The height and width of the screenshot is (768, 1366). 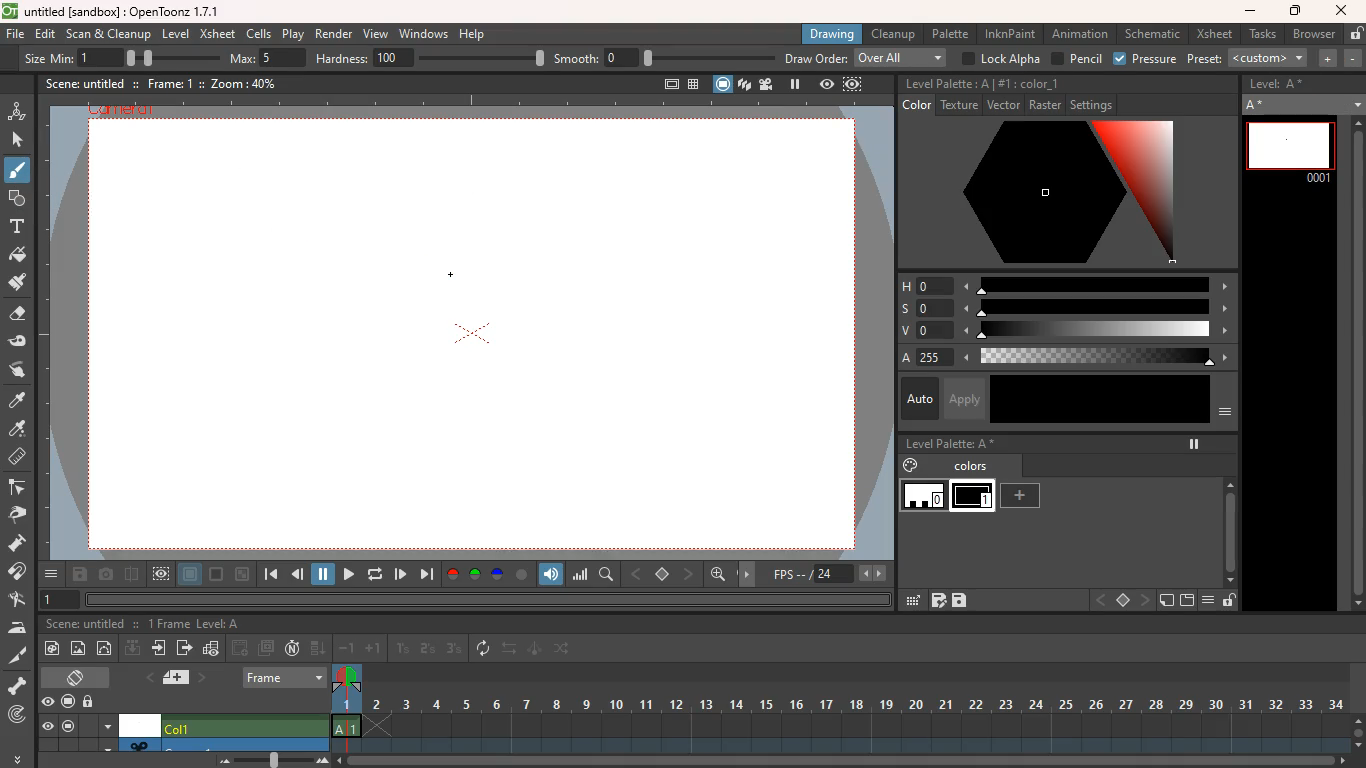 What do you see at coordinates (1010, 34) in the screenshot?
I see `inknpaint` at bounding box center [1010, 34].